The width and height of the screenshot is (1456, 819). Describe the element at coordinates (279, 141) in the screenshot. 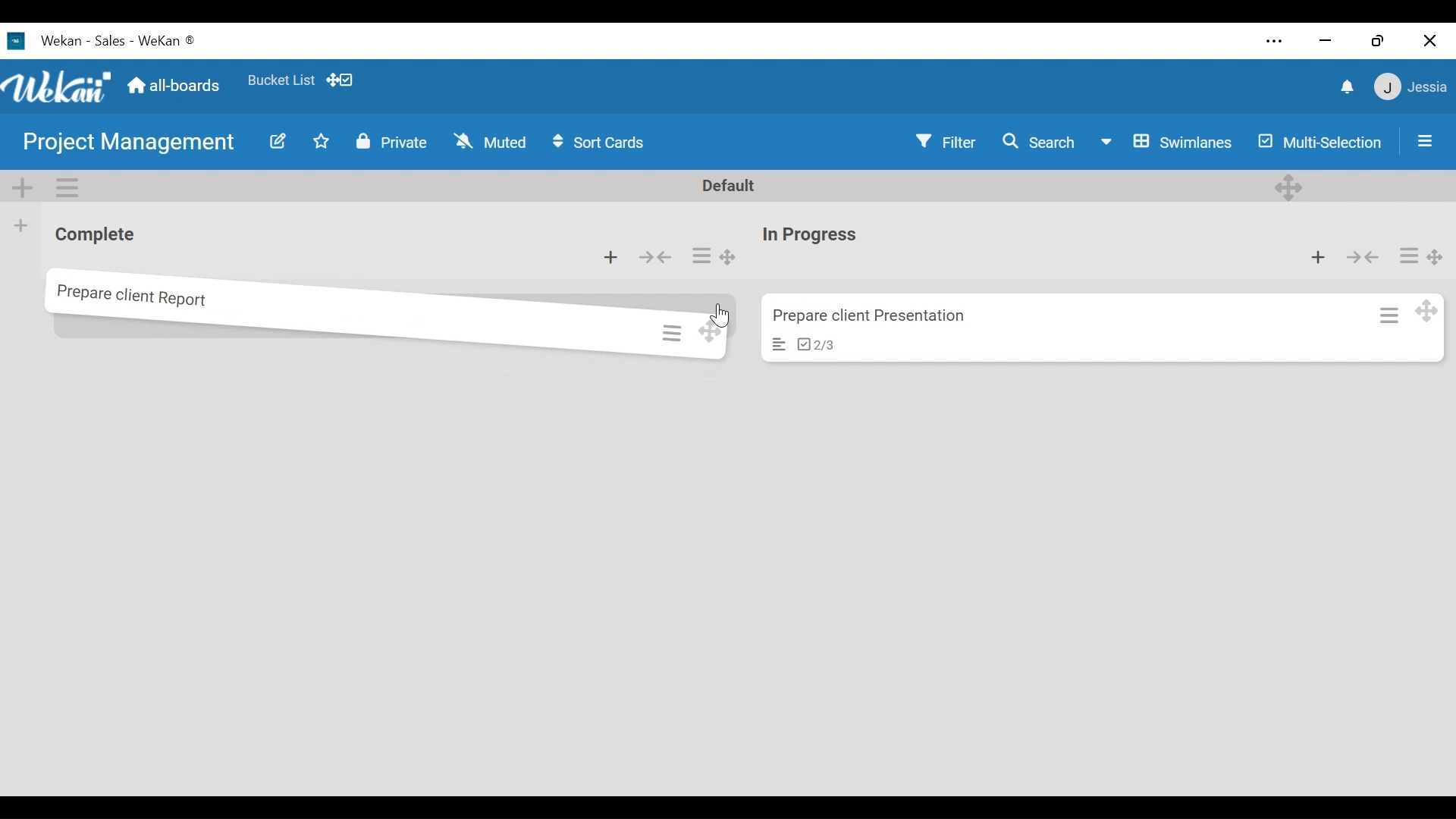

I see `Edit` at that location.